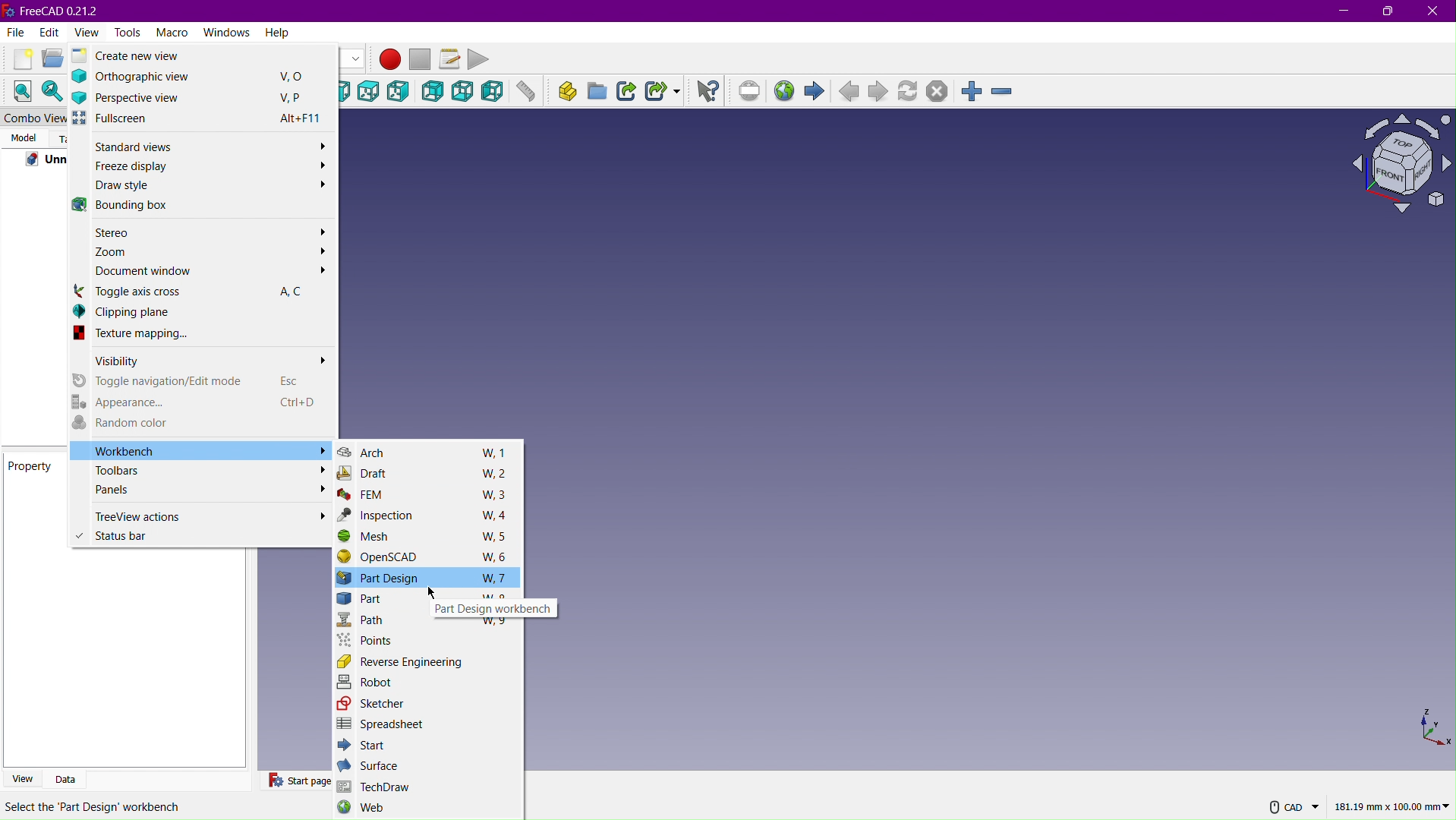 This screenshot has height=820, width=1456. What do you see at coordinates (203, 232) in the screenshot?
I see `Stereo` at bounding box center [203, 232].